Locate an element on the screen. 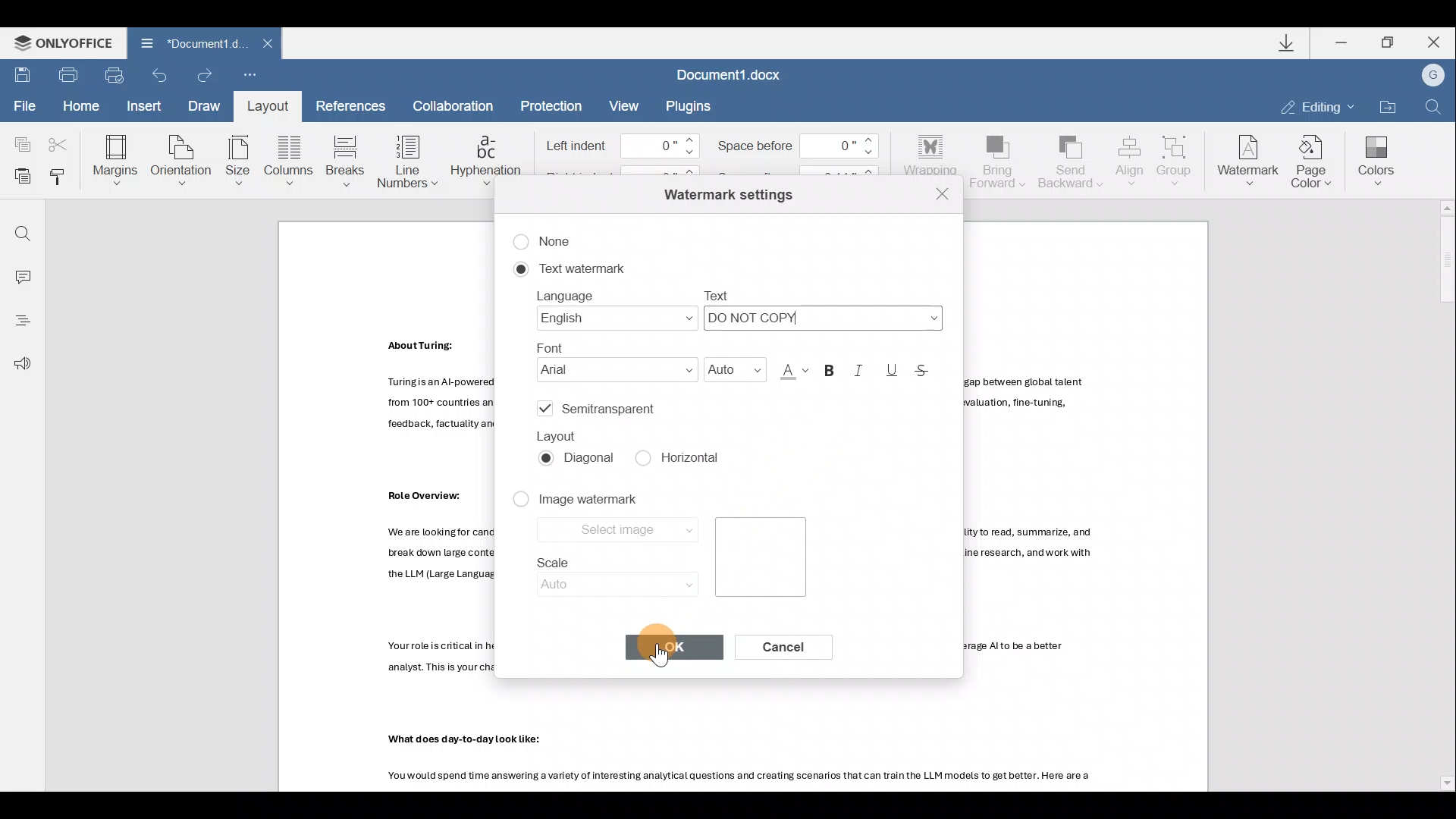  Font name is located at coordinates (610, 361).